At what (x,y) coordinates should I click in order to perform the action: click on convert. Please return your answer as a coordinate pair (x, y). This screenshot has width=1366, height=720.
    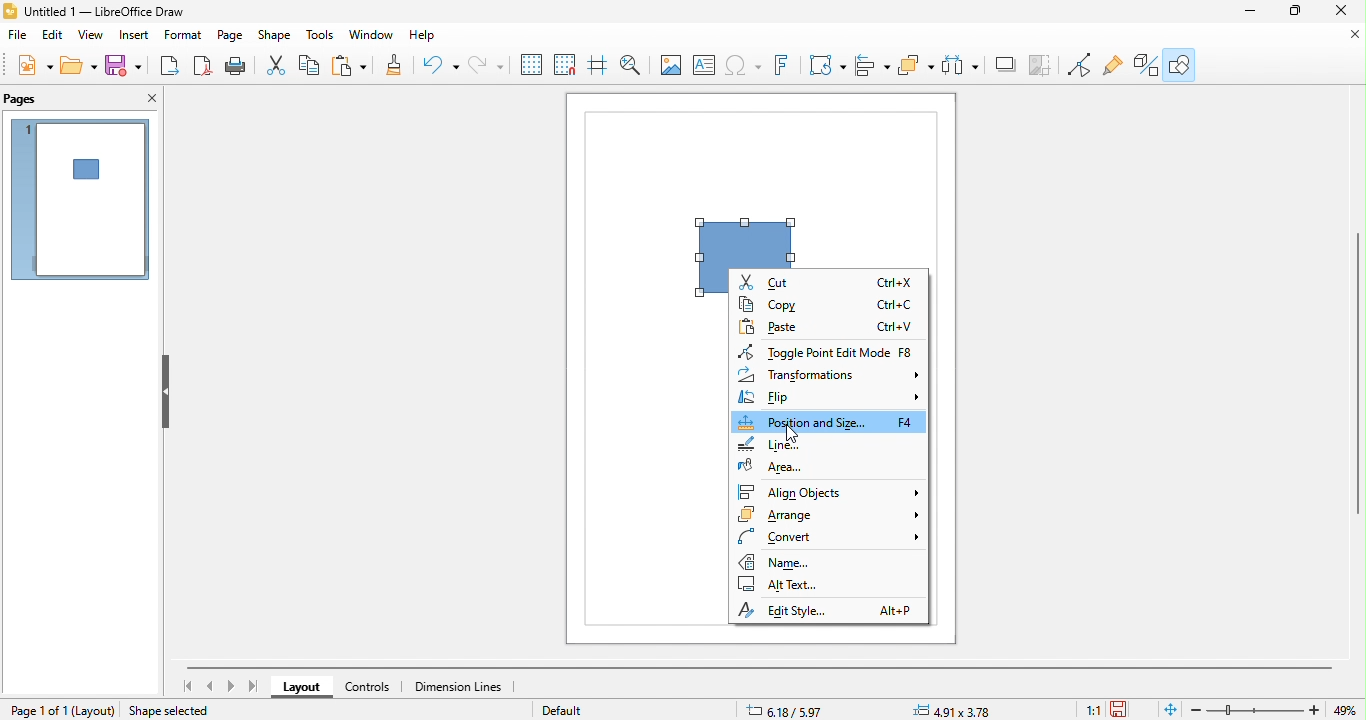
    Looking at the image, I should click on (826, 538).